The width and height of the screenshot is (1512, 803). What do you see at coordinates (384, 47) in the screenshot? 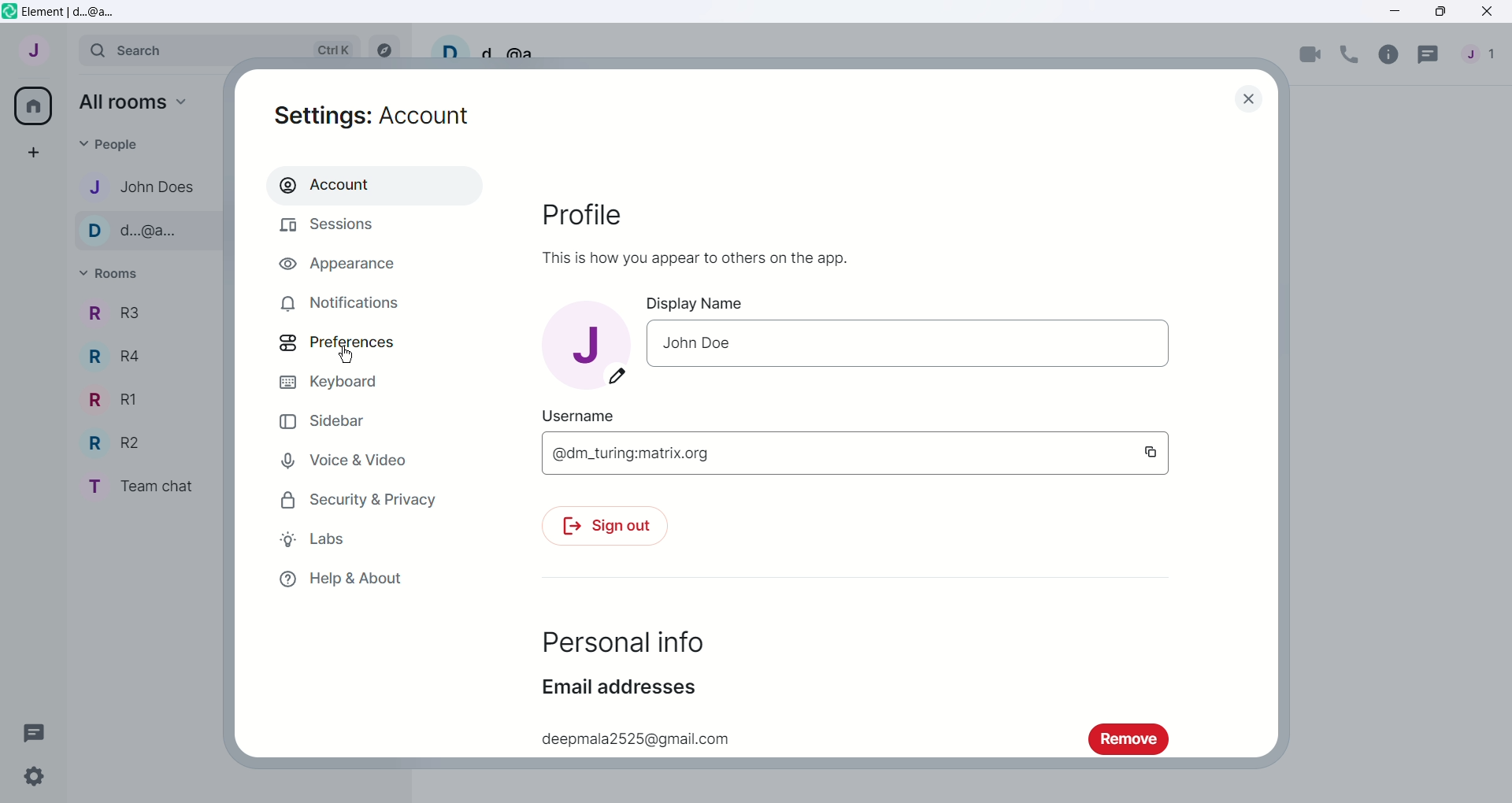
I see `Explore rooms` at bounding box center [384, 47].